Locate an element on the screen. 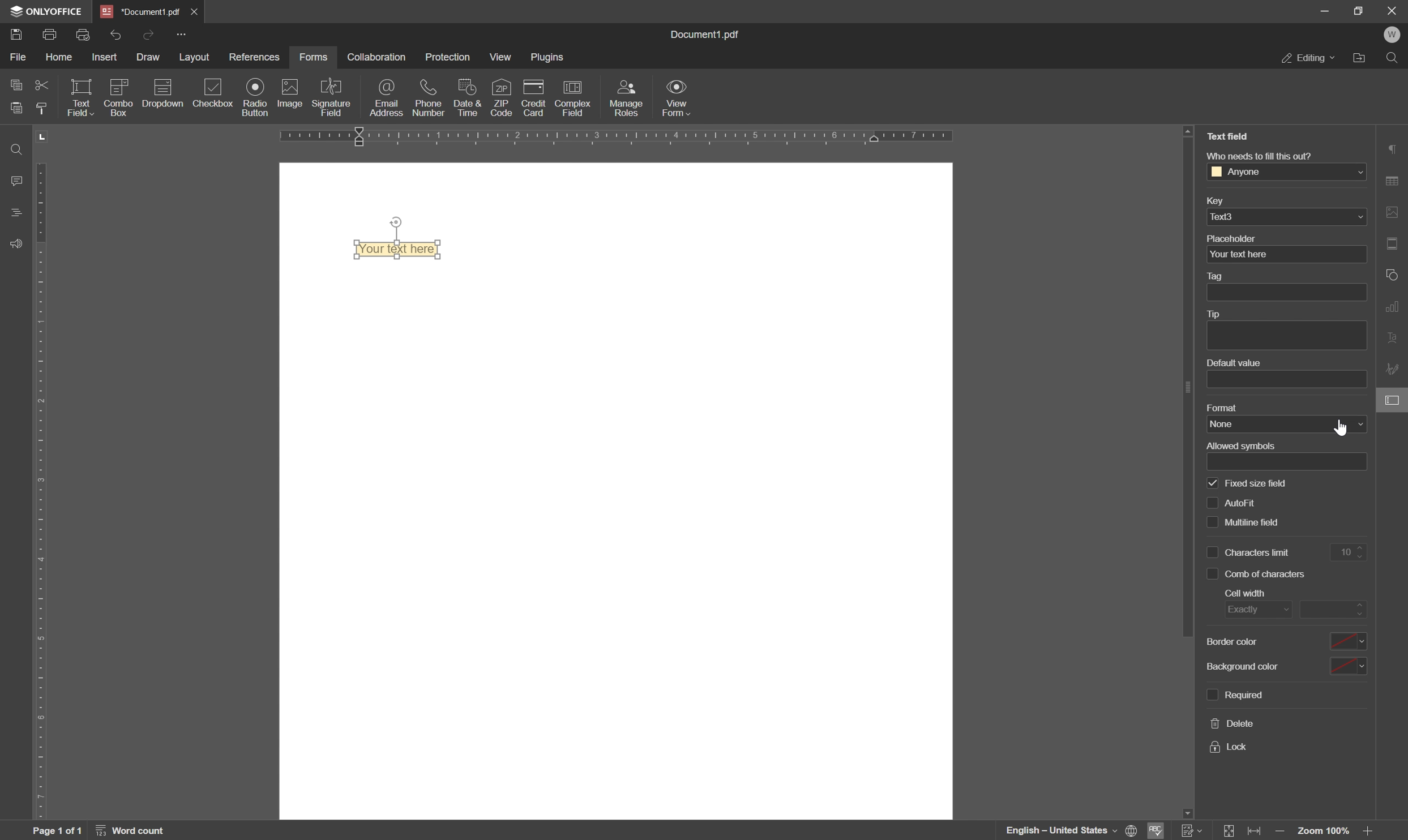 This screenshot has width=1408, height=840. radio button is located at coordinates (253, 97).